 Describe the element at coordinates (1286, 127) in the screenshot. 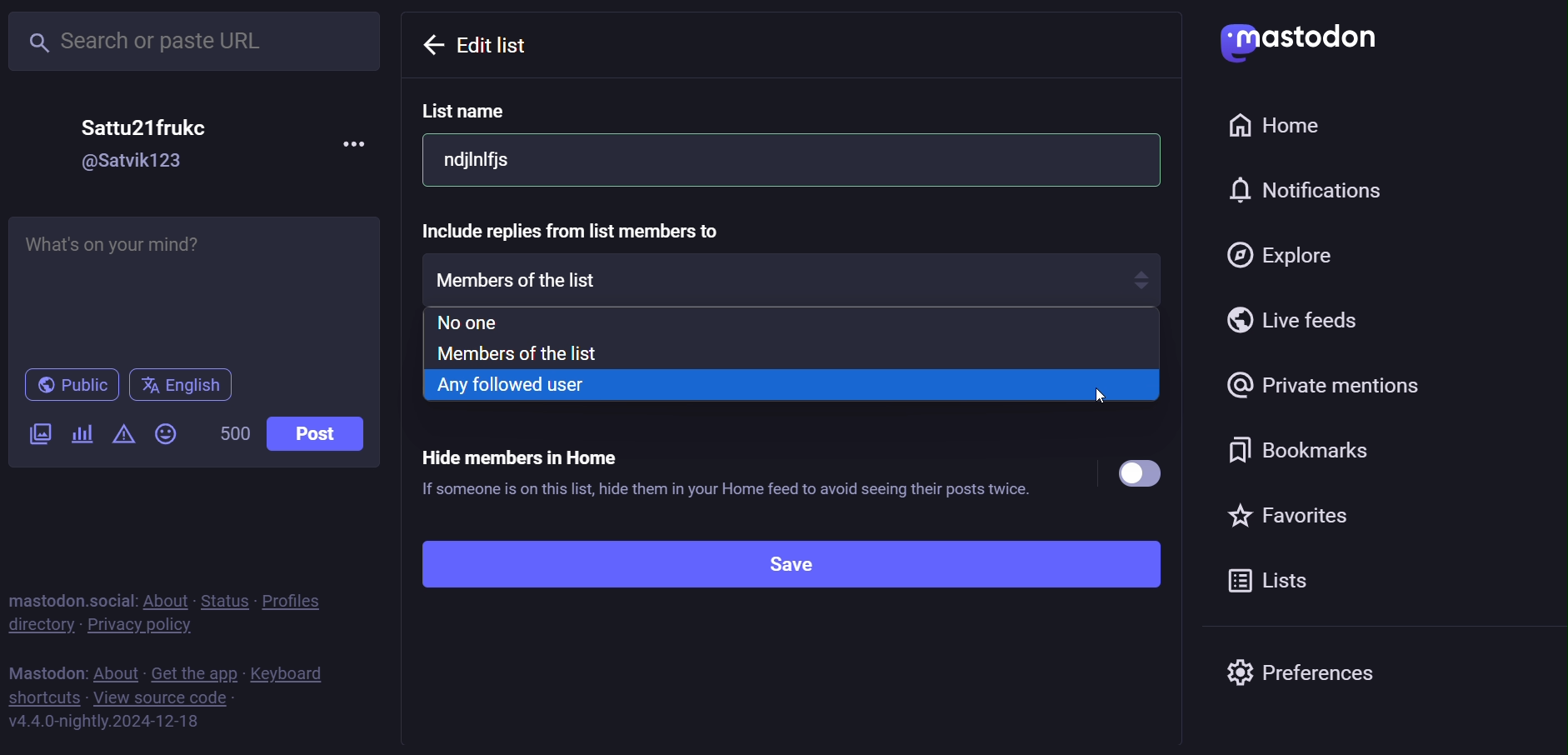

I see `home` at that location.